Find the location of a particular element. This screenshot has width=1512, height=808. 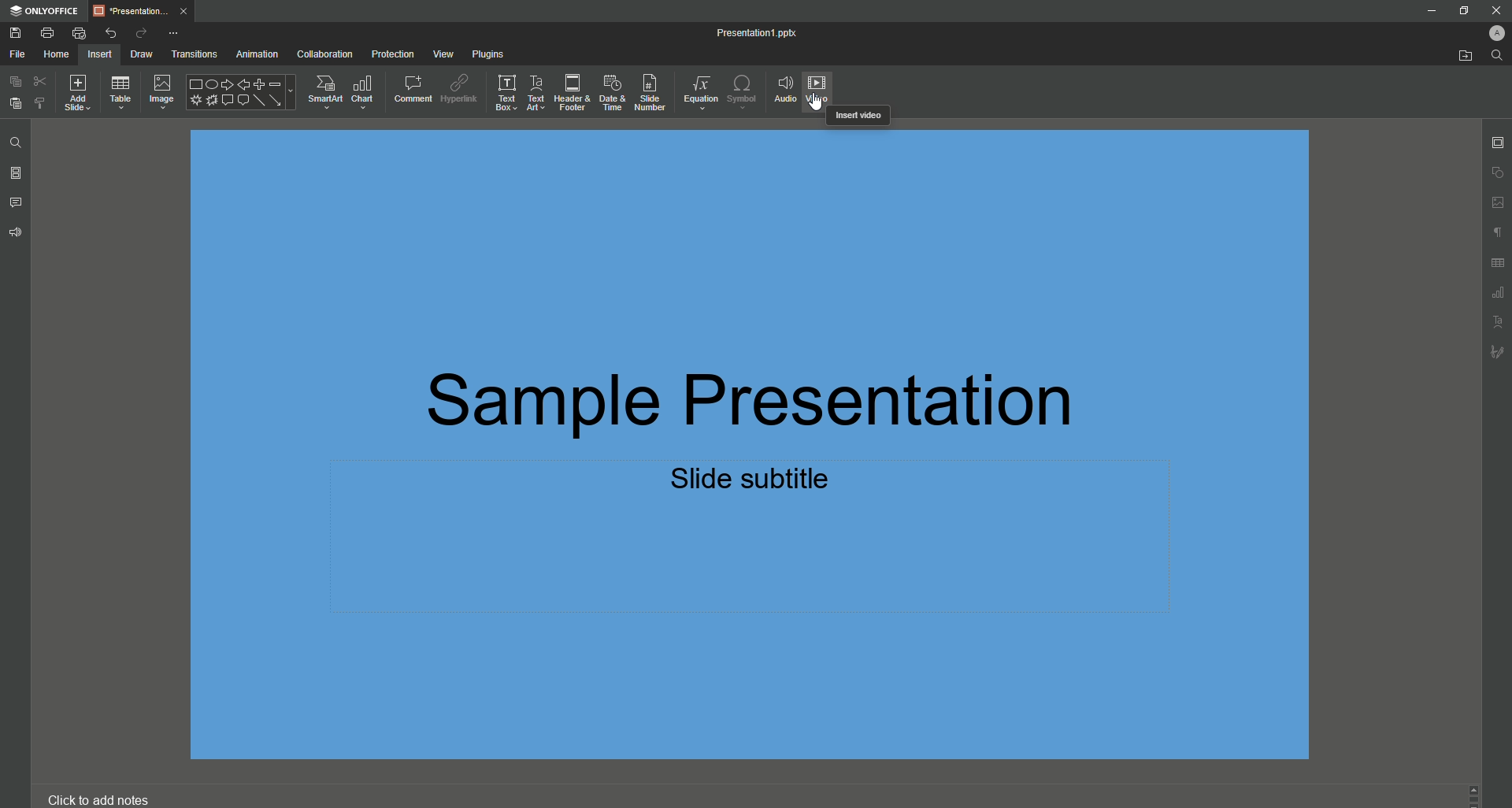

 is located at coordinates (1496, 9).